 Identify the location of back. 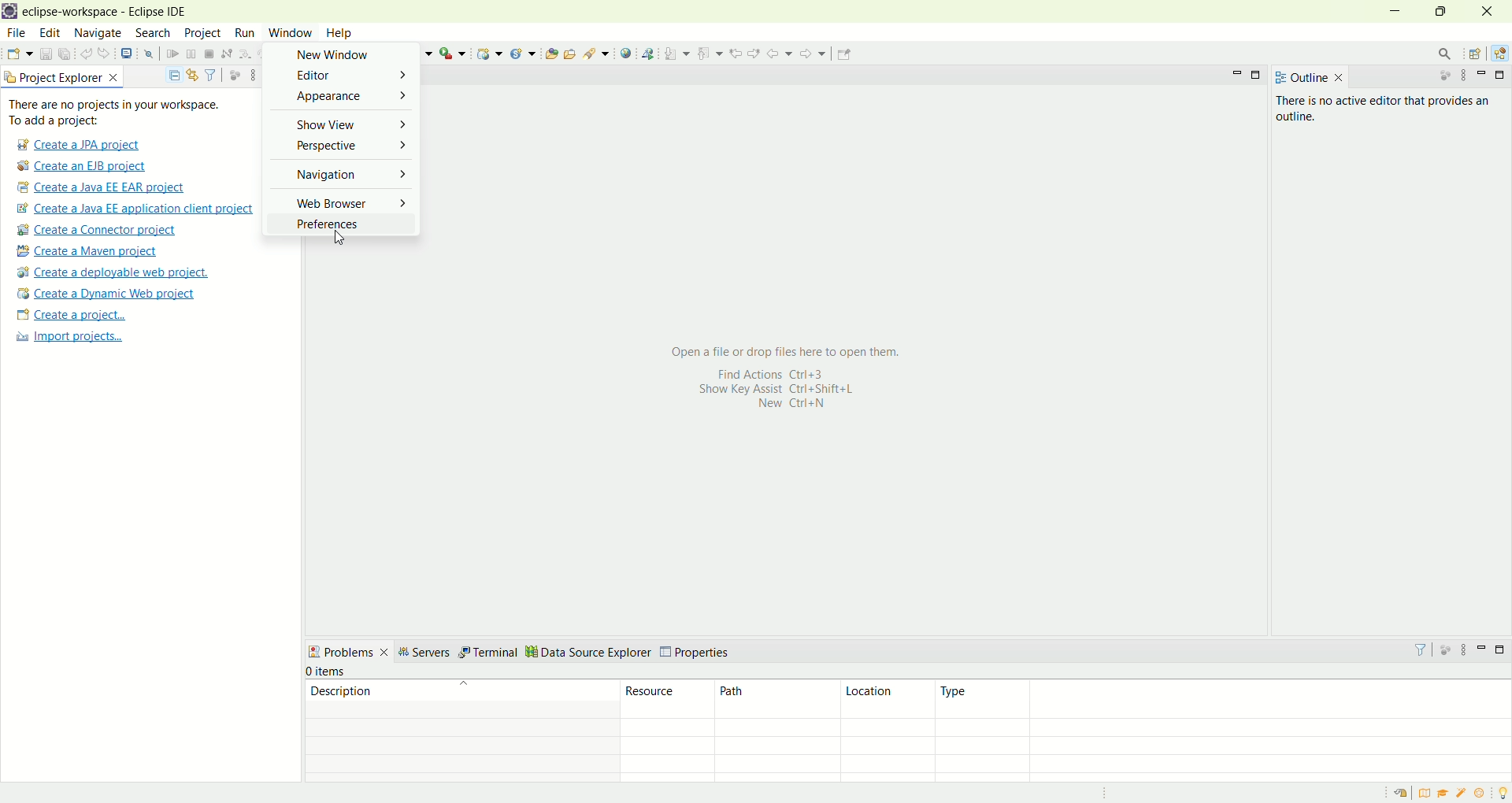
(783, 53).